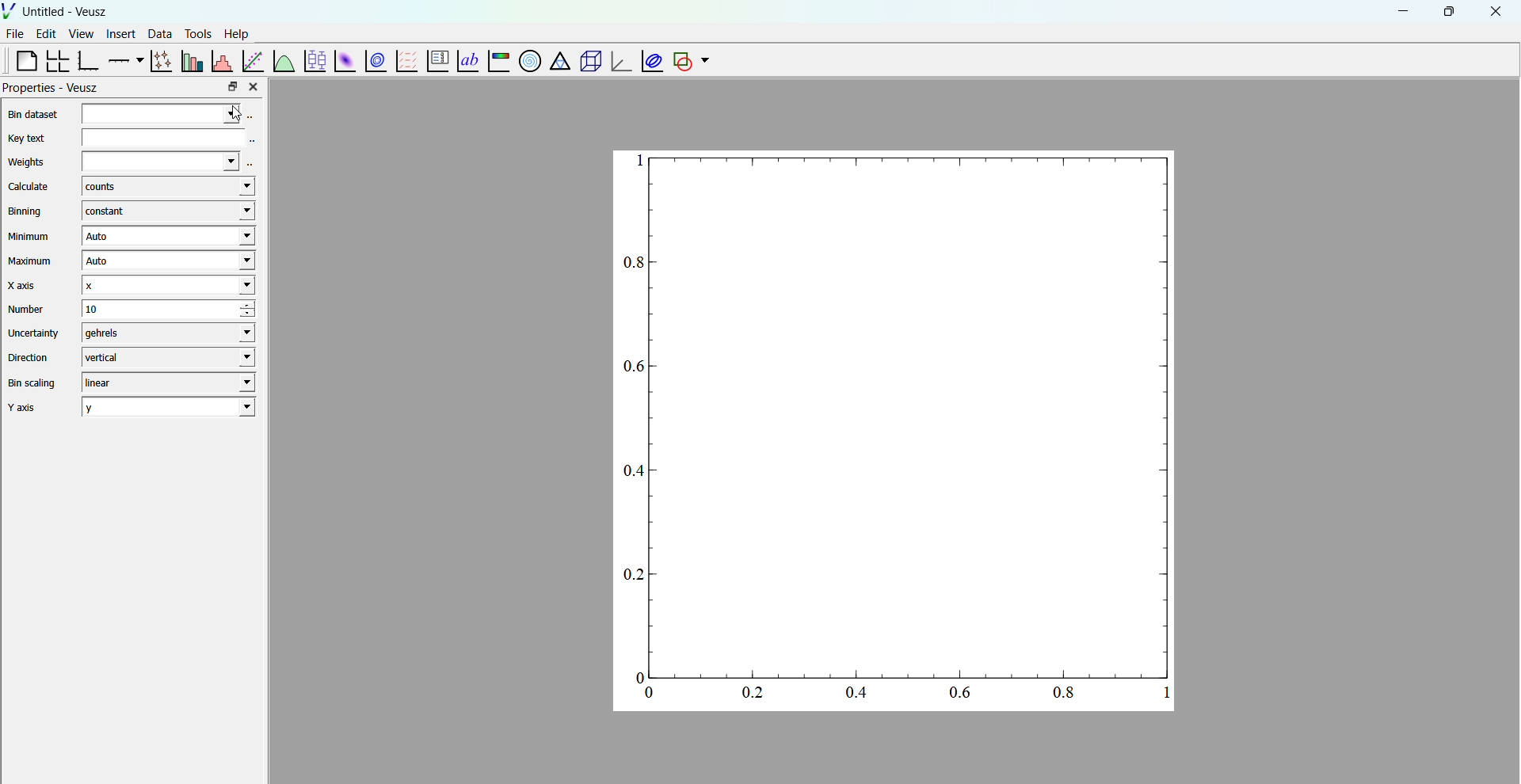 This screenshot has height=784, width=1521. Describe the element at coordinates (1401, 10) in the screenshot. I see `minimize` at that location.